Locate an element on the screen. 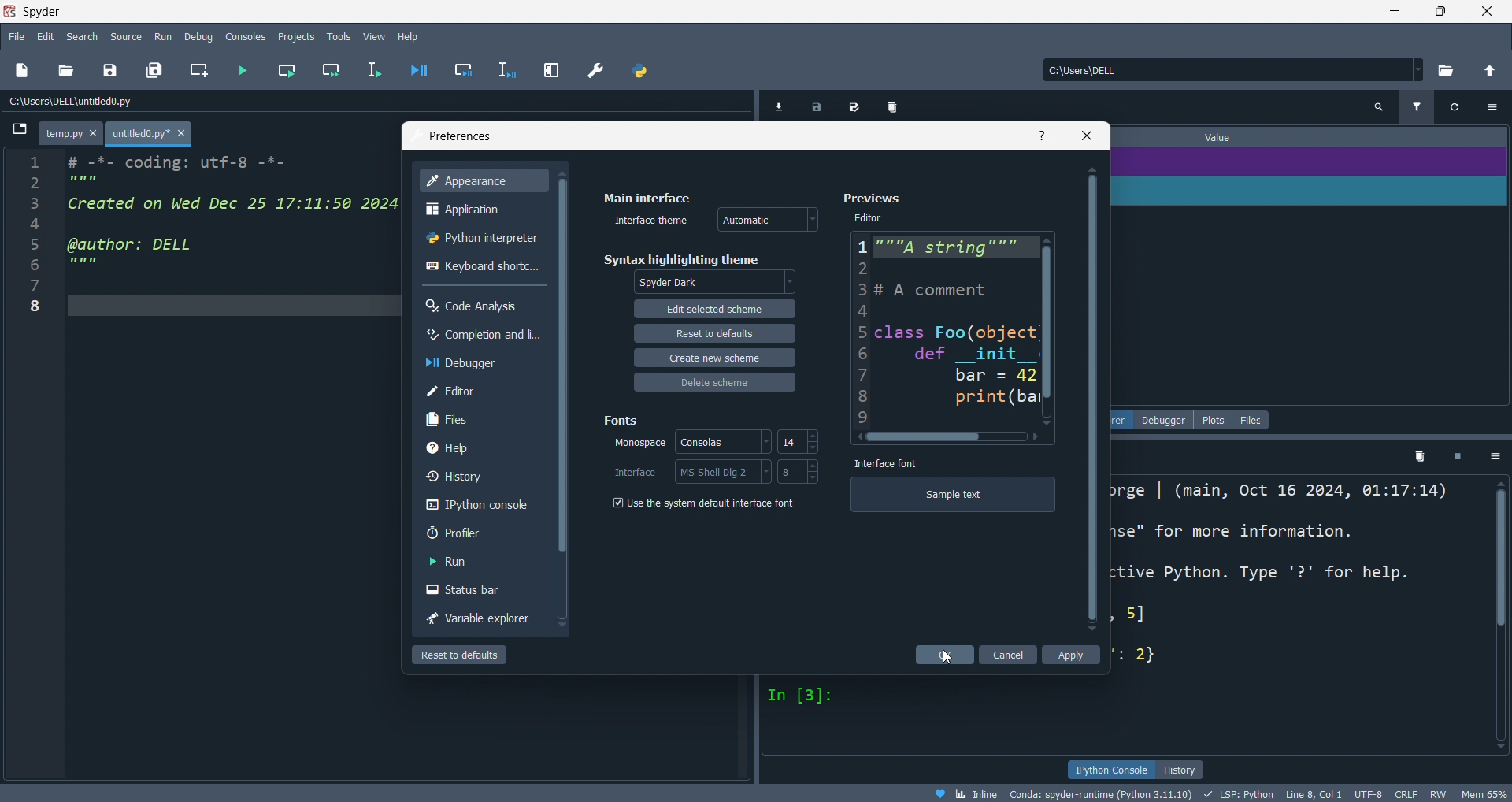  python path manager is located at coordinates (642, 72).